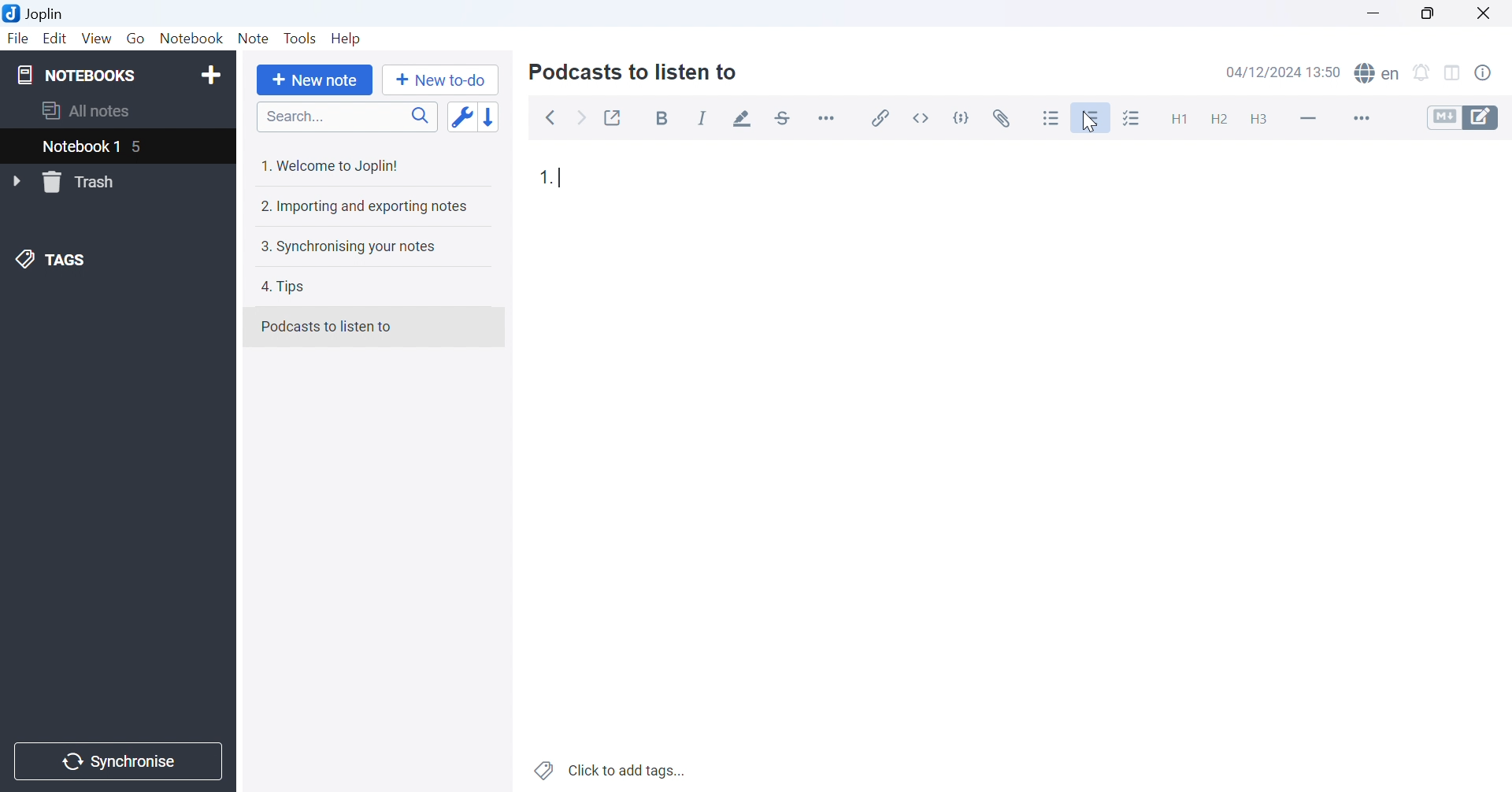 The width and height of the screenshot is (1512, 792). Describe the element at coordinates (636, 74) in the screenshot. I see `Podcasts to listen to` at that location.